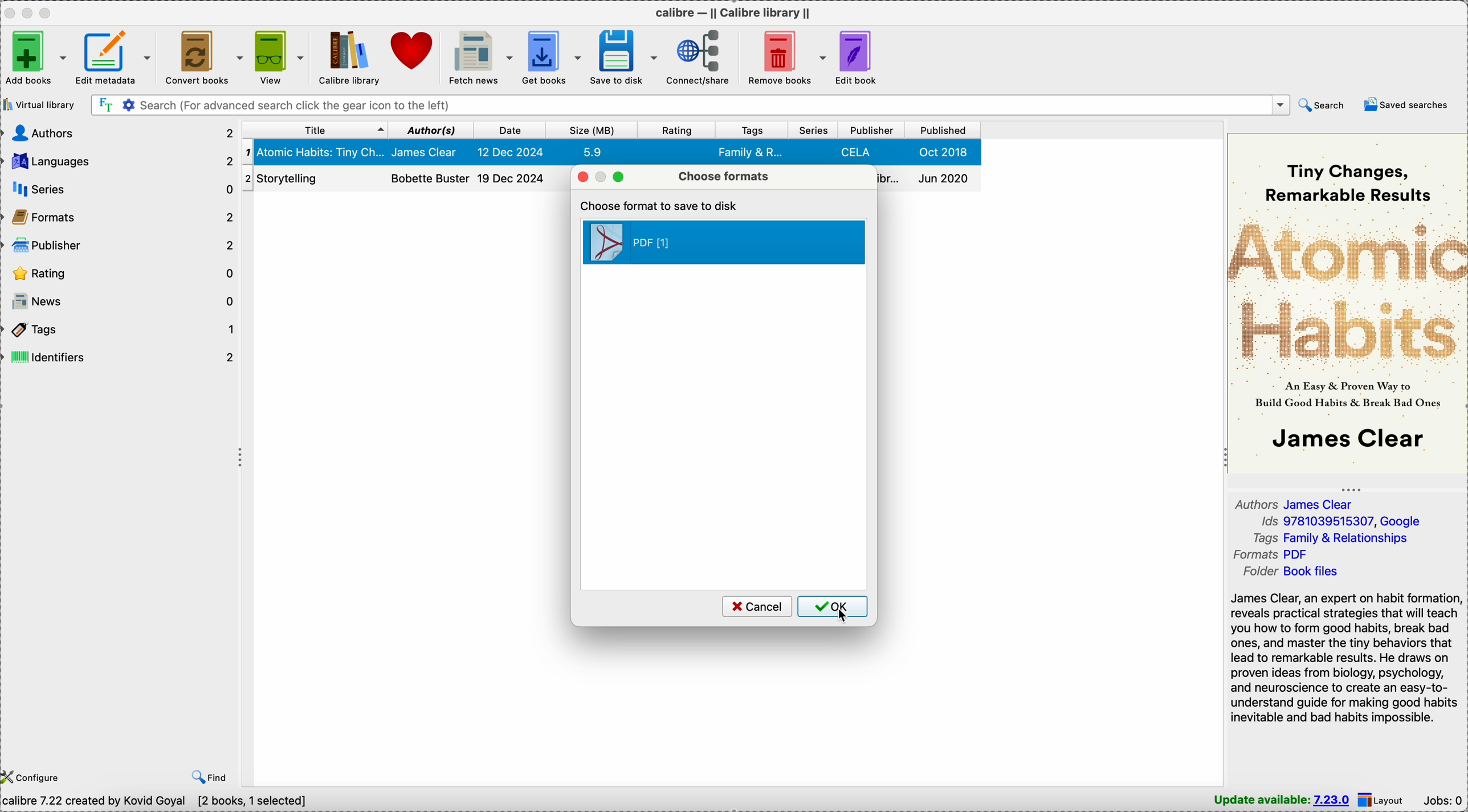 The width and height of the screenshot is (1468, 812). What do you see at coordinates (861, 55) in the screenshot?
I see `edit book` at bounding box center [861, 55].